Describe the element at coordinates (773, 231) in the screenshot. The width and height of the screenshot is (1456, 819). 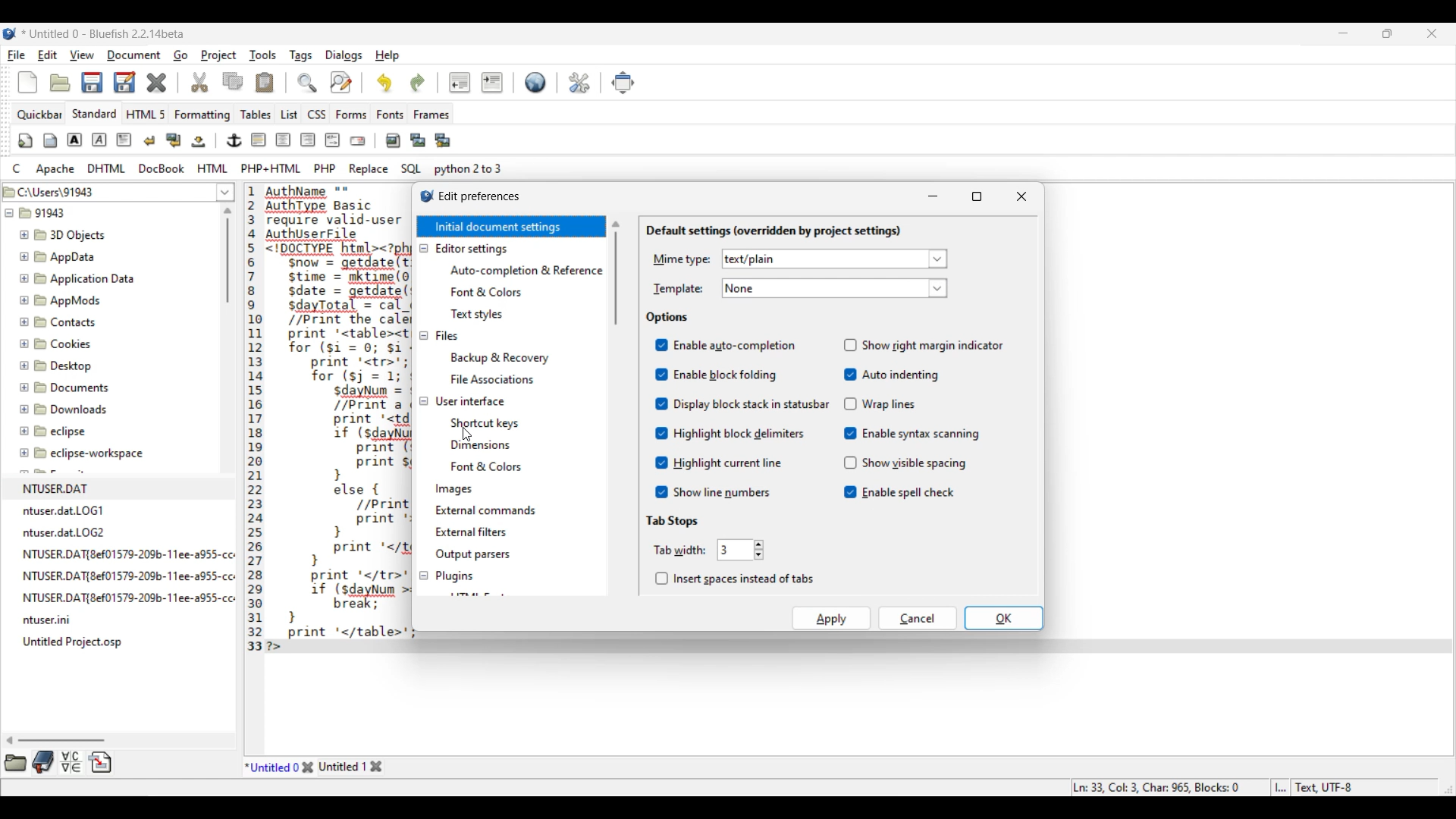
I see `Section title` at that location.